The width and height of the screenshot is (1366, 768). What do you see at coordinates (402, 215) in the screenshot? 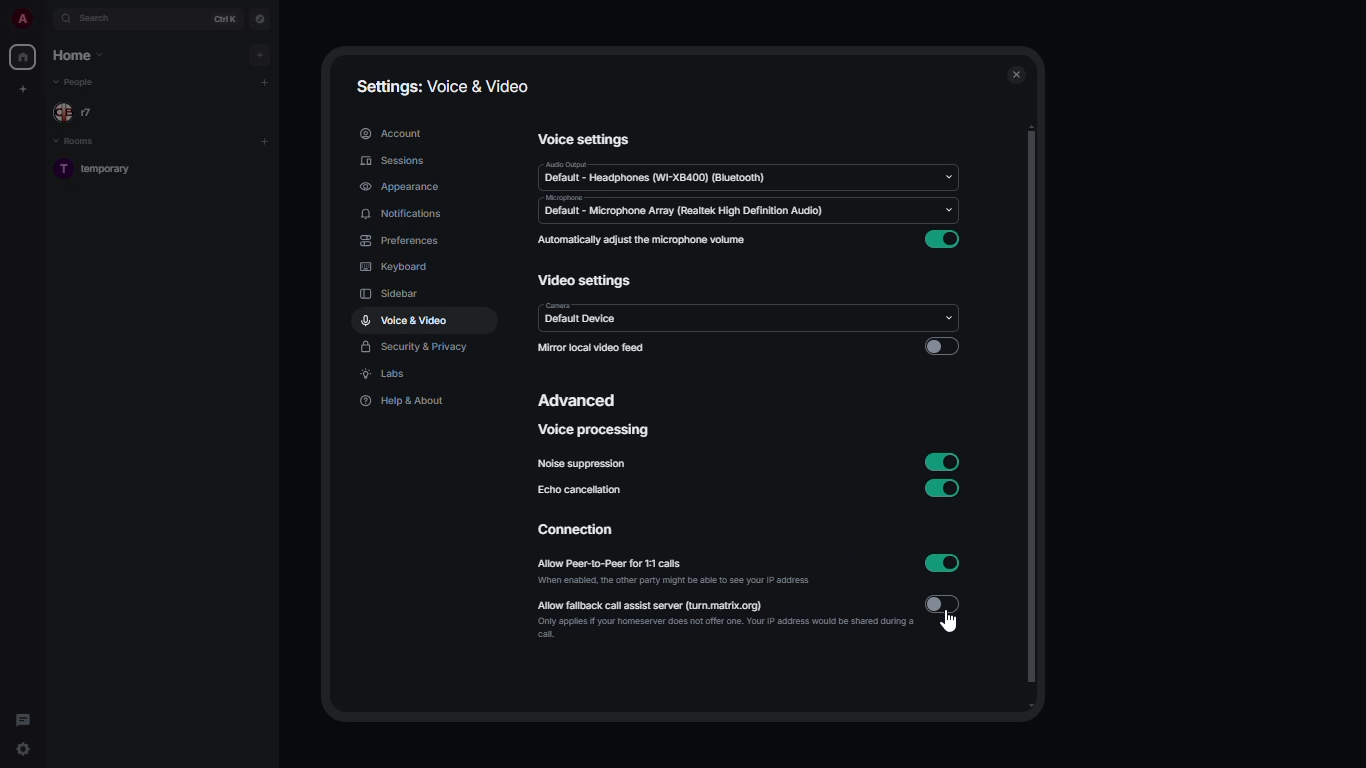
I see `notifications` at bounding box center [402, 215].